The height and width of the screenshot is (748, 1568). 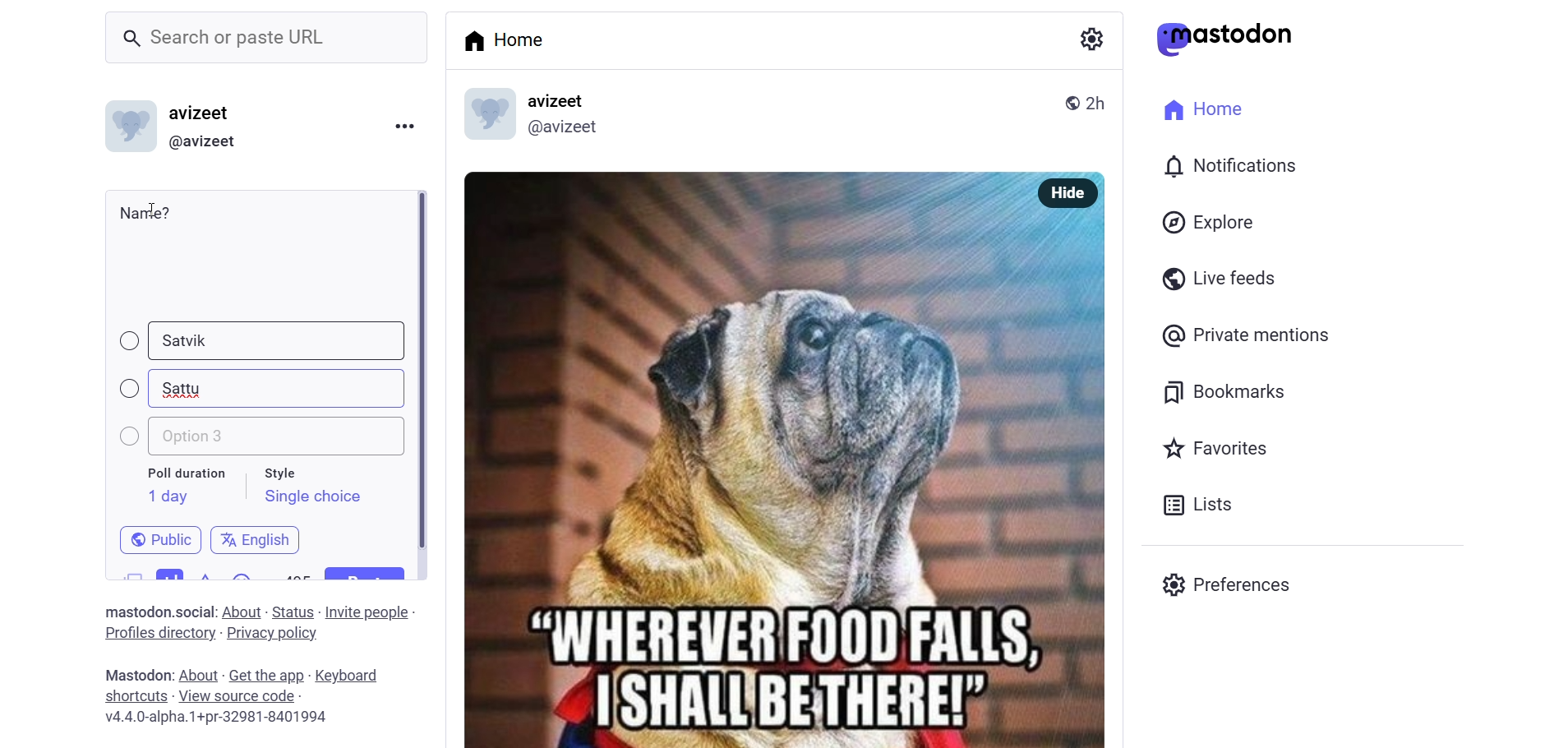 What do you see at coordinates (240, 612) in the screenshot?
I see `about` at bounding box center [240, 612].